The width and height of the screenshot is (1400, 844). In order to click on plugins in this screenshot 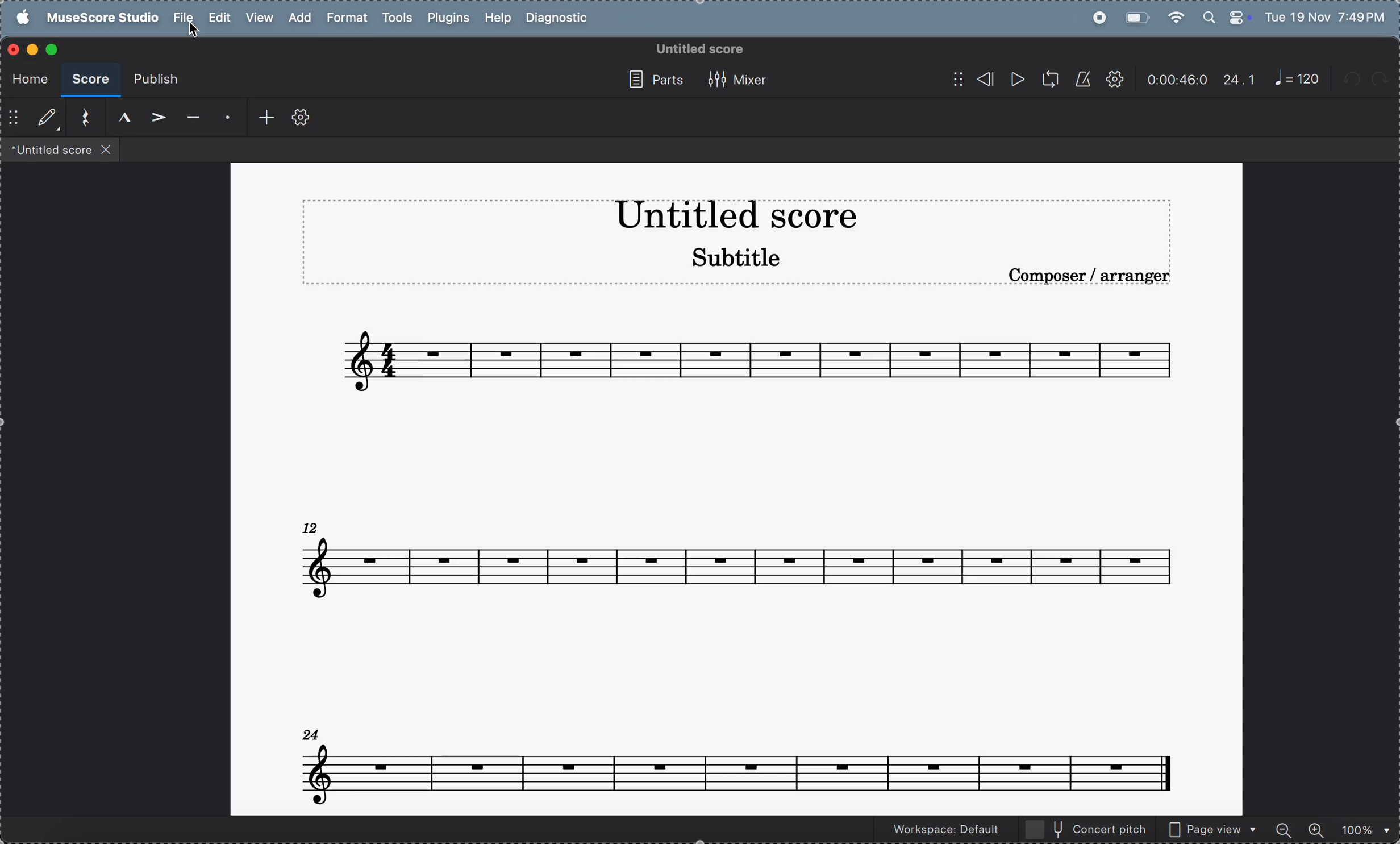, I will do `click(445, 19)`.